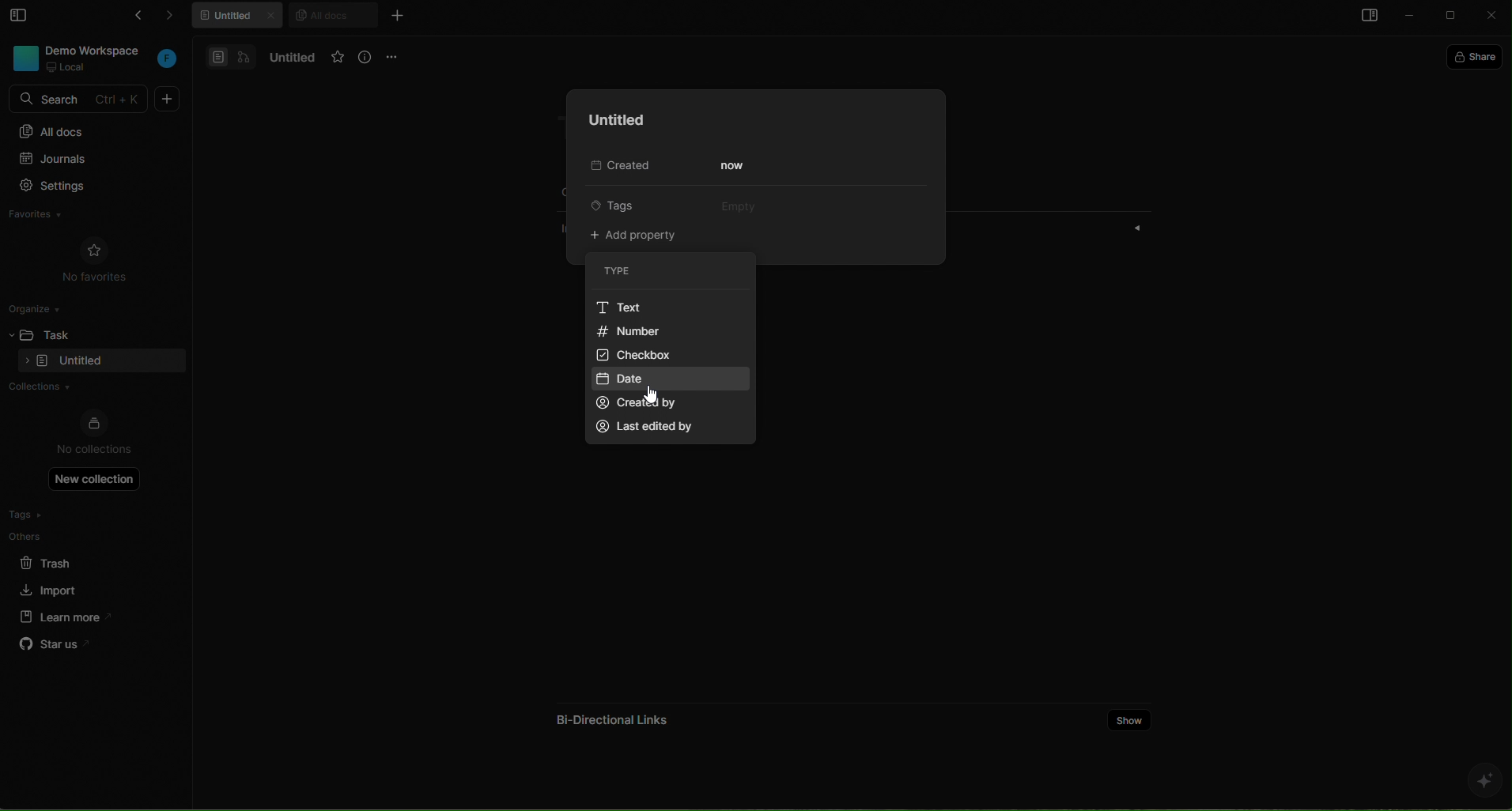 This screenshot has height=811, width=1512. Describe the element at coordinates (1484, 780) in the screenshot. I see `ai` at that location.